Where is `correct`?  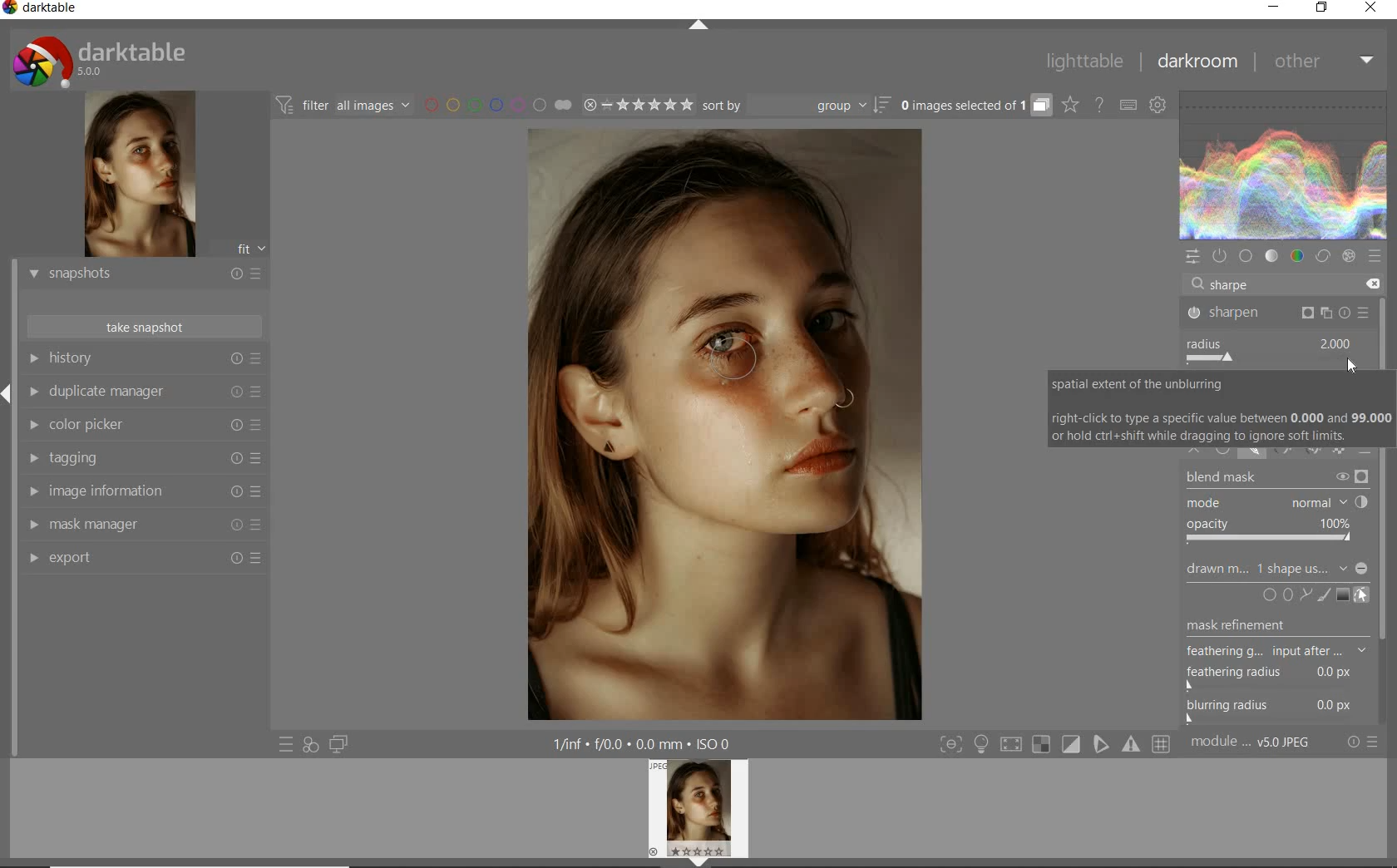
correct is located at coordinates (1322, 258).